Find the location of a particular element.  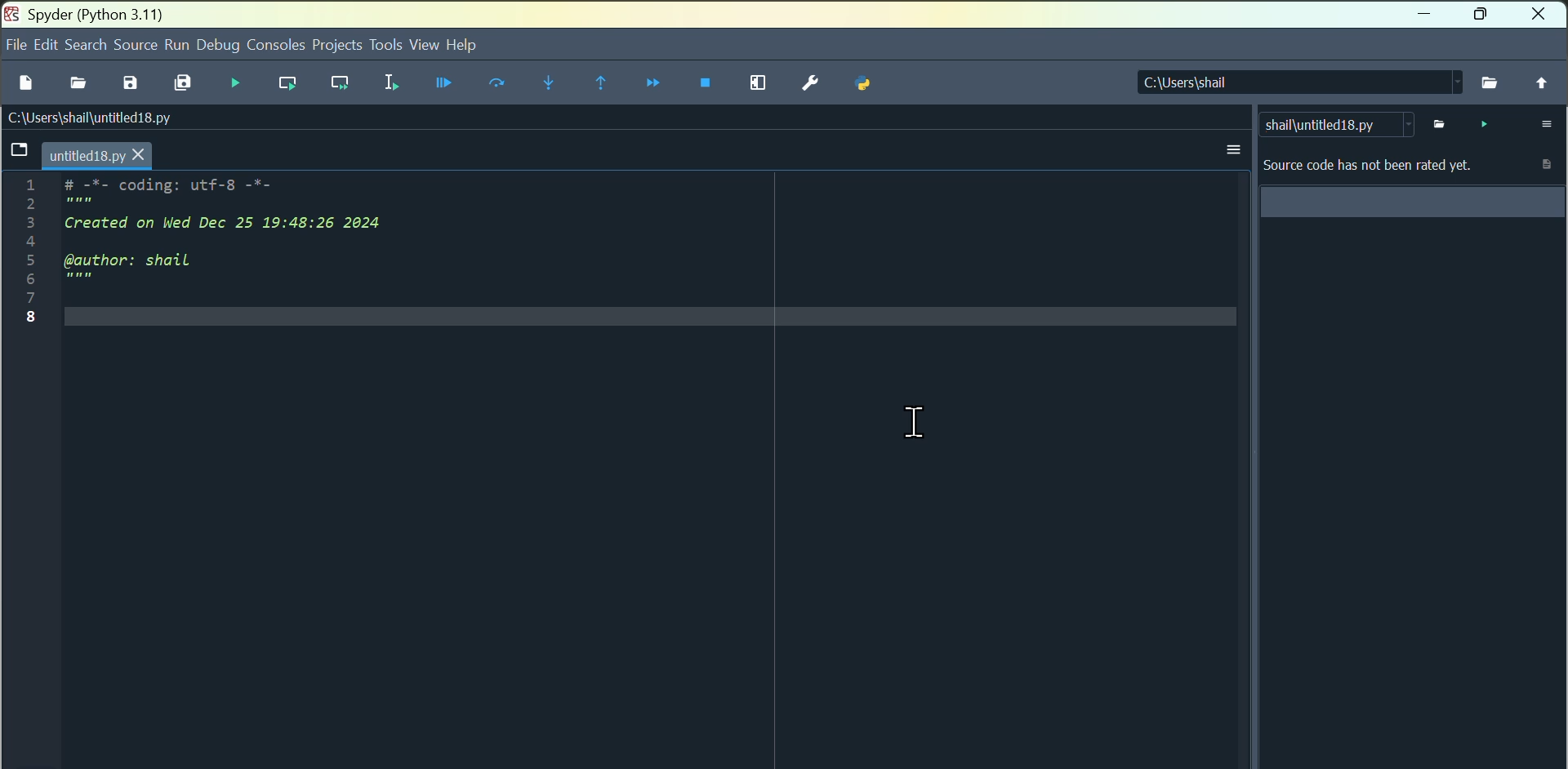

view is located at coordinates (423, 47).